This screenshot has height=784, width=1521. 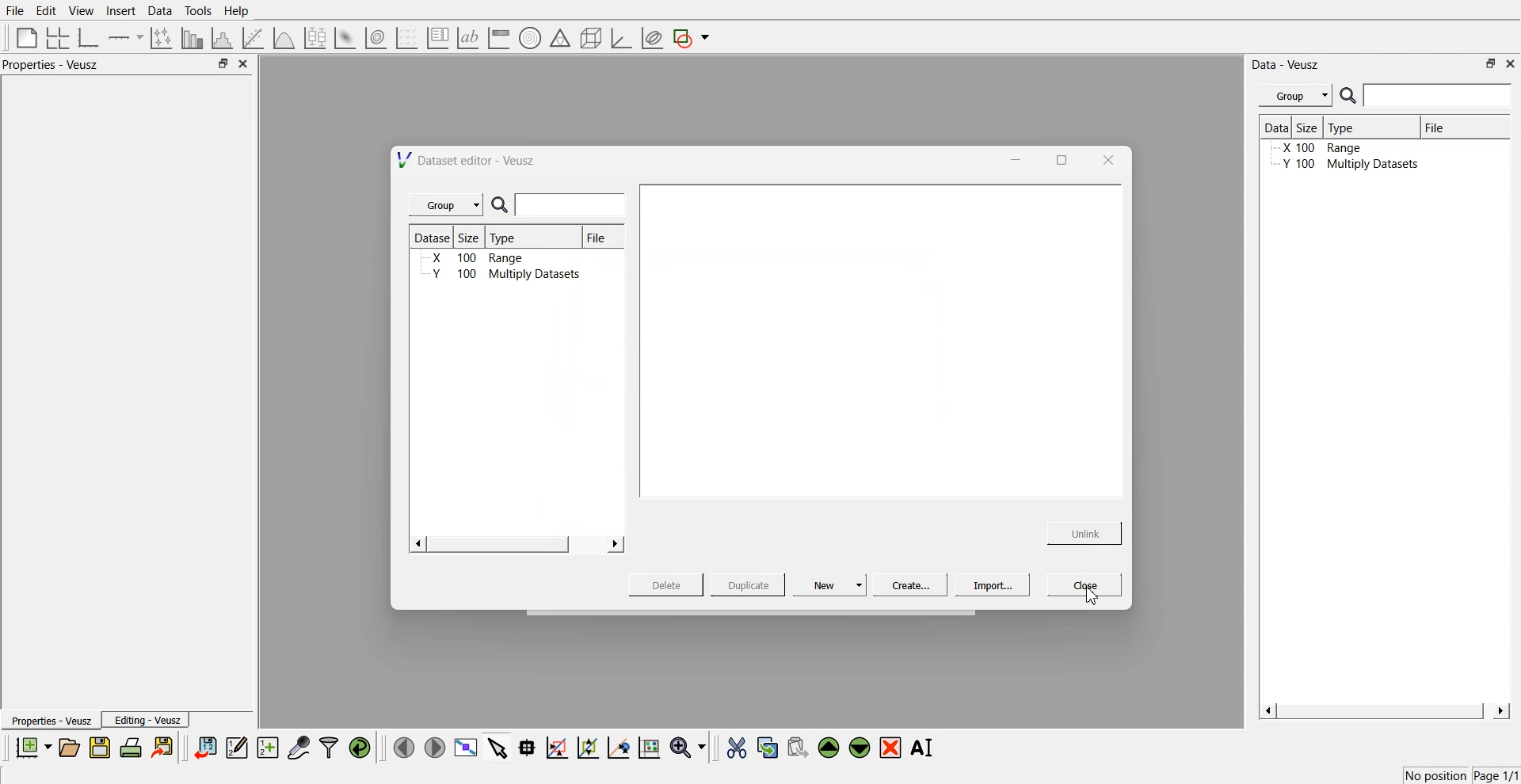 What do you see at coordinates (360, 748) in the screenshot?
I see `reload the data points` at bounding box center [360, 748].